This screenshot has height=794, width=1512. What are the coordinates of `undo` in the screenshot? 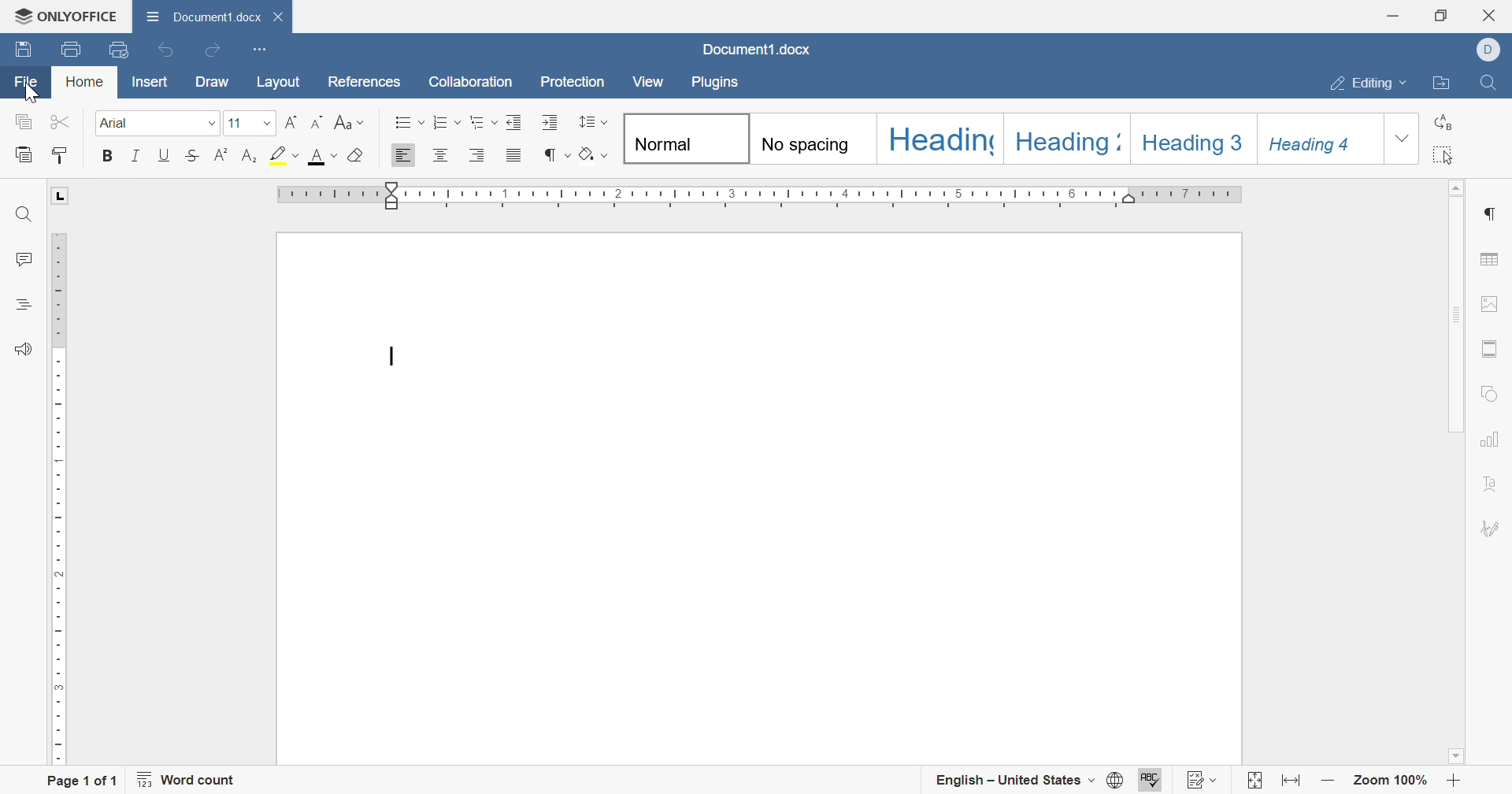 It's located at (166, 52).